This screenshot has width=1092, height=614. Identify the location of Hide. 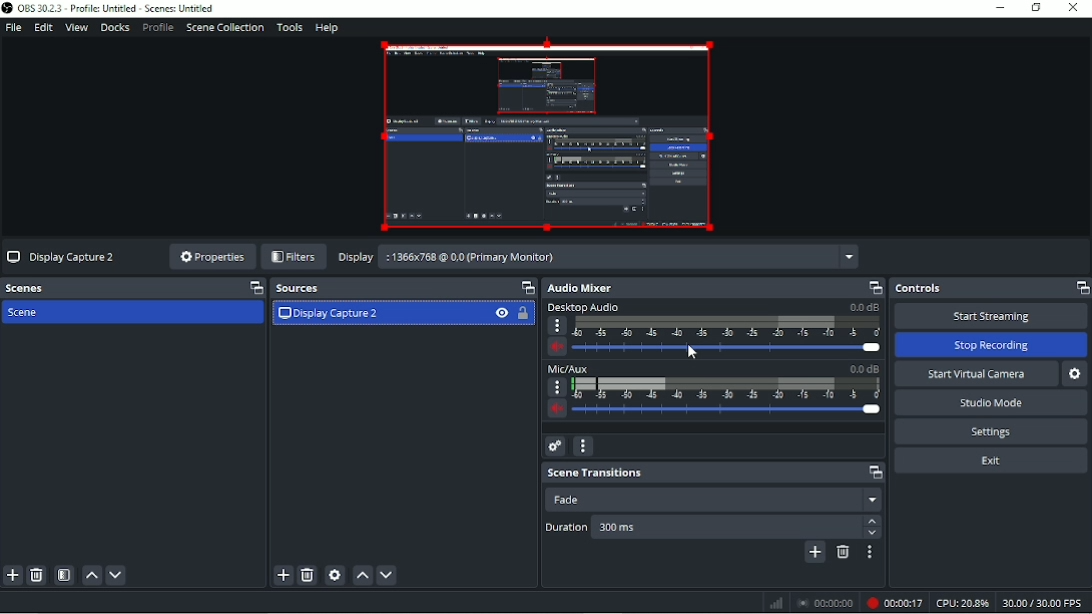
(500, 313).